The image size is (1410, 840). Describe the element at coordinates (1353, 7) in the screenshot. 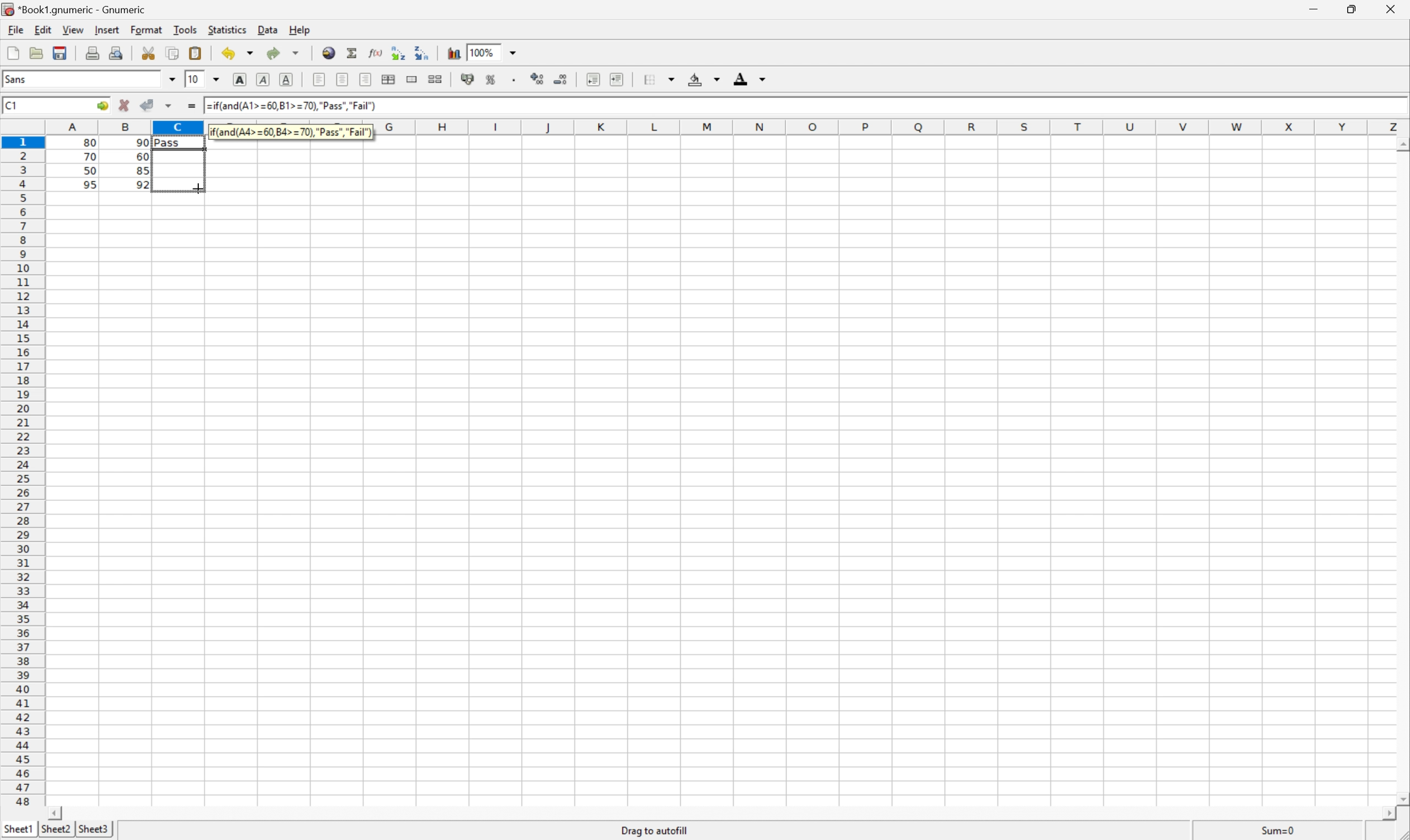

I see `Restore Down` at that location.